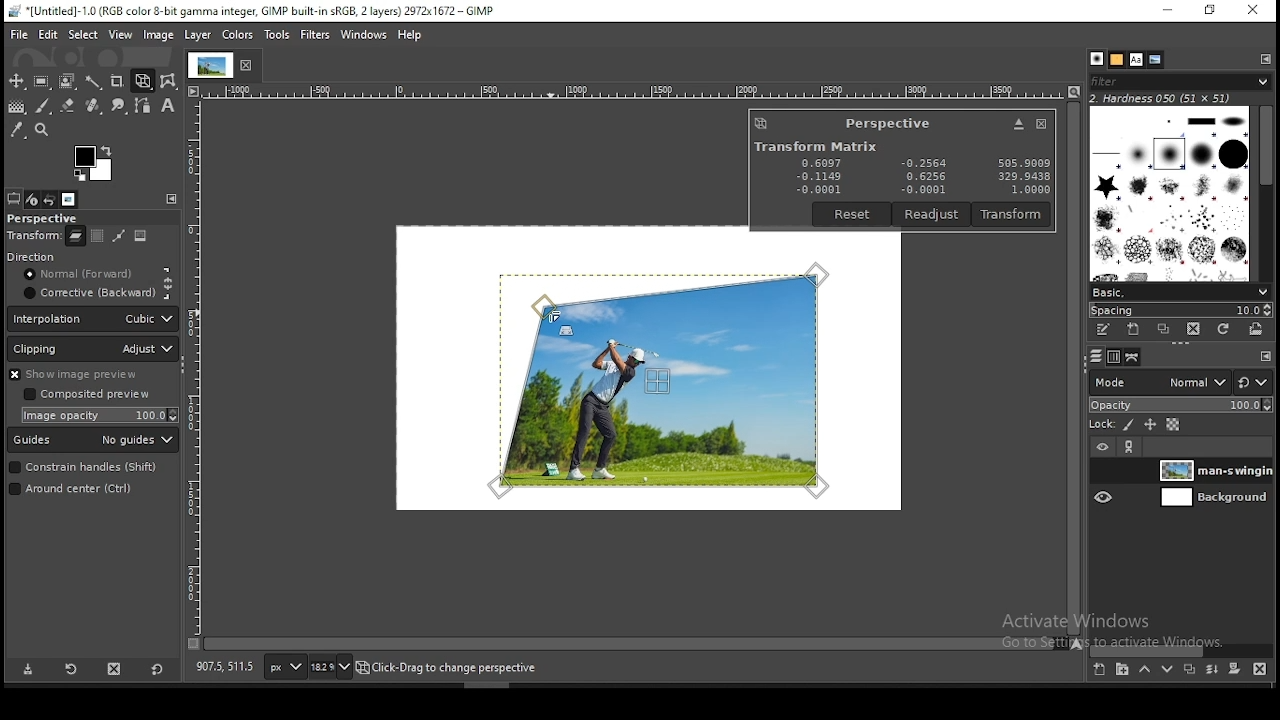 The height and width of the screenshot is (720, 1280). What do you see at coordinates (1102, 448) in the screenshot?
I see `layer visibility` at bounding box center [1102, 448].